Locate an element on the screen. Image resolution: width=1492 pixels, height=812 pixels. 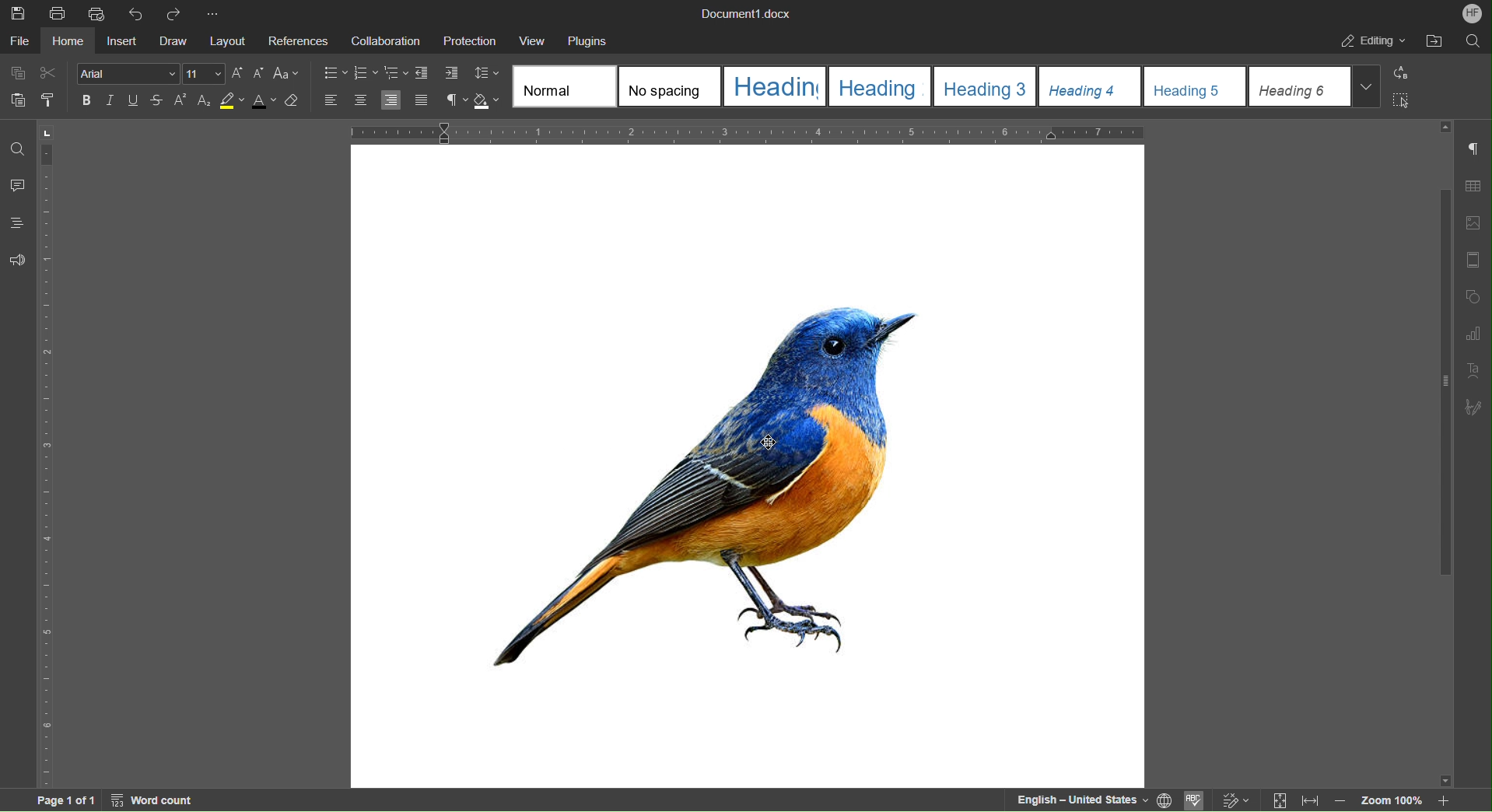
Align Right is located at coordinates (392, 101).